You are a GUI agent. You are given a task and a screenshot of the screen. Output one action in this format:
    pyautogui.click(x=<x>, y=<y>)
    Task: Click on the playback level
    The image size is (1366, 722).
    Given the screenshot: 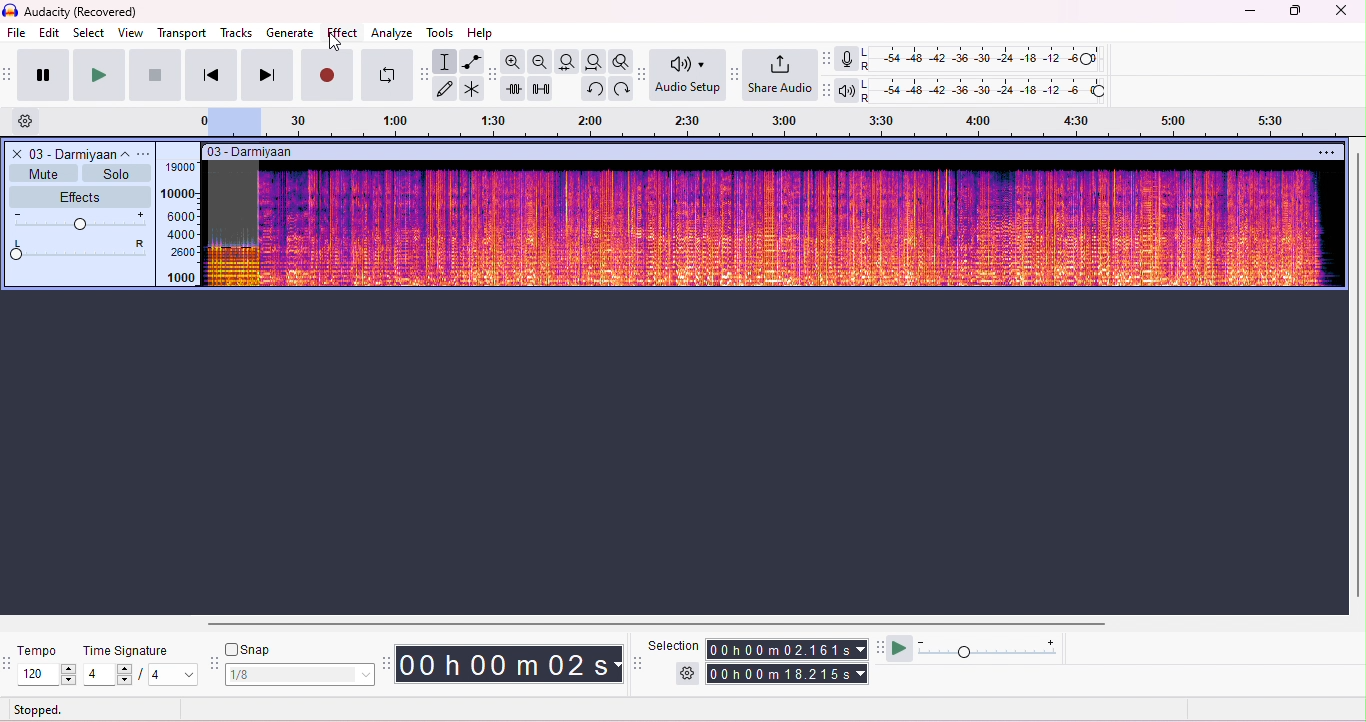 What is the action you would take?
    pyautogui.click(x=988, y=90)
    